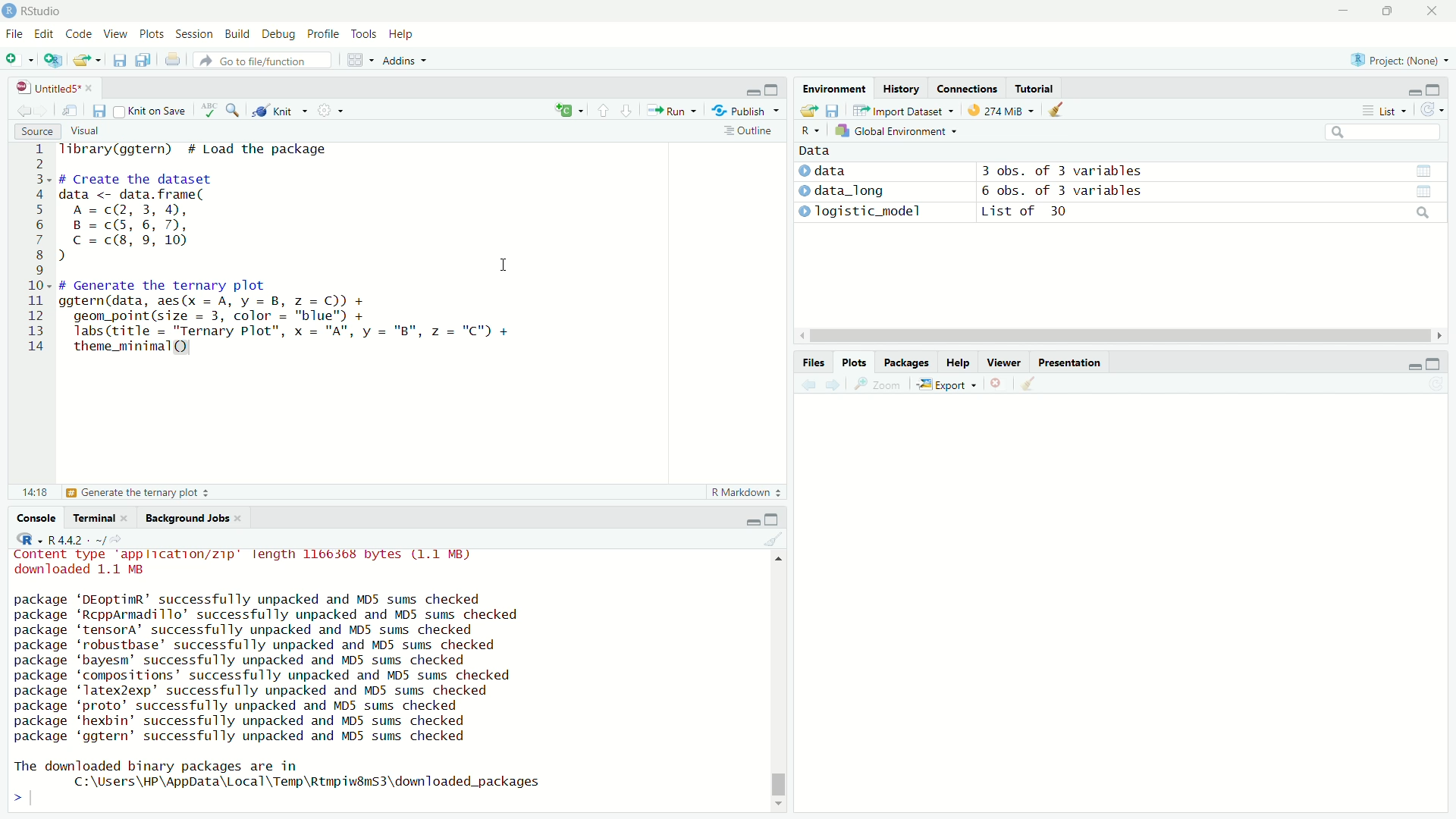  I want to click on cursor, so click(1109, 337).